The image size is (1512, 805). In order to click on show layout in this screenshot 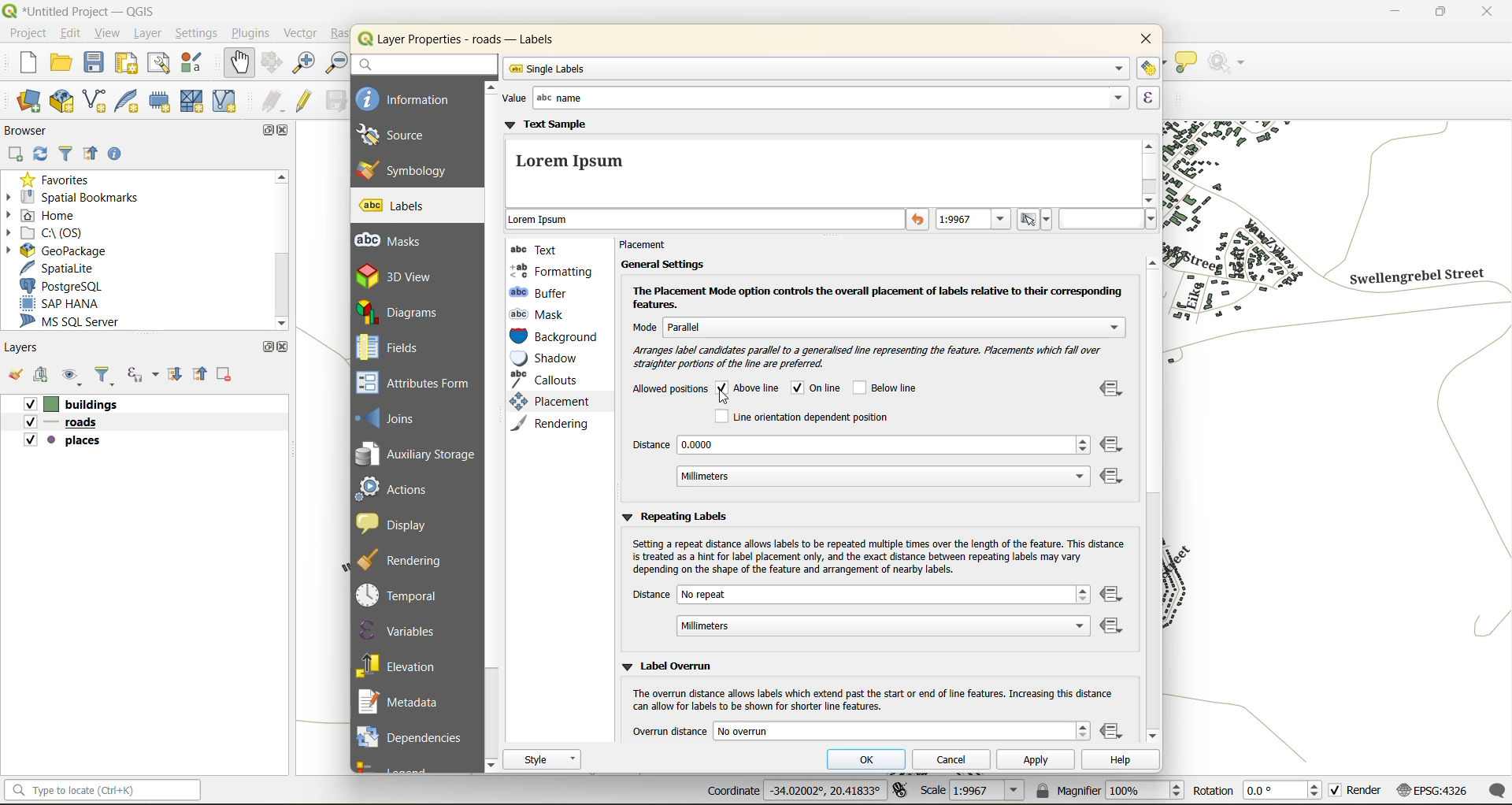, I will do `click(157, 63)`.